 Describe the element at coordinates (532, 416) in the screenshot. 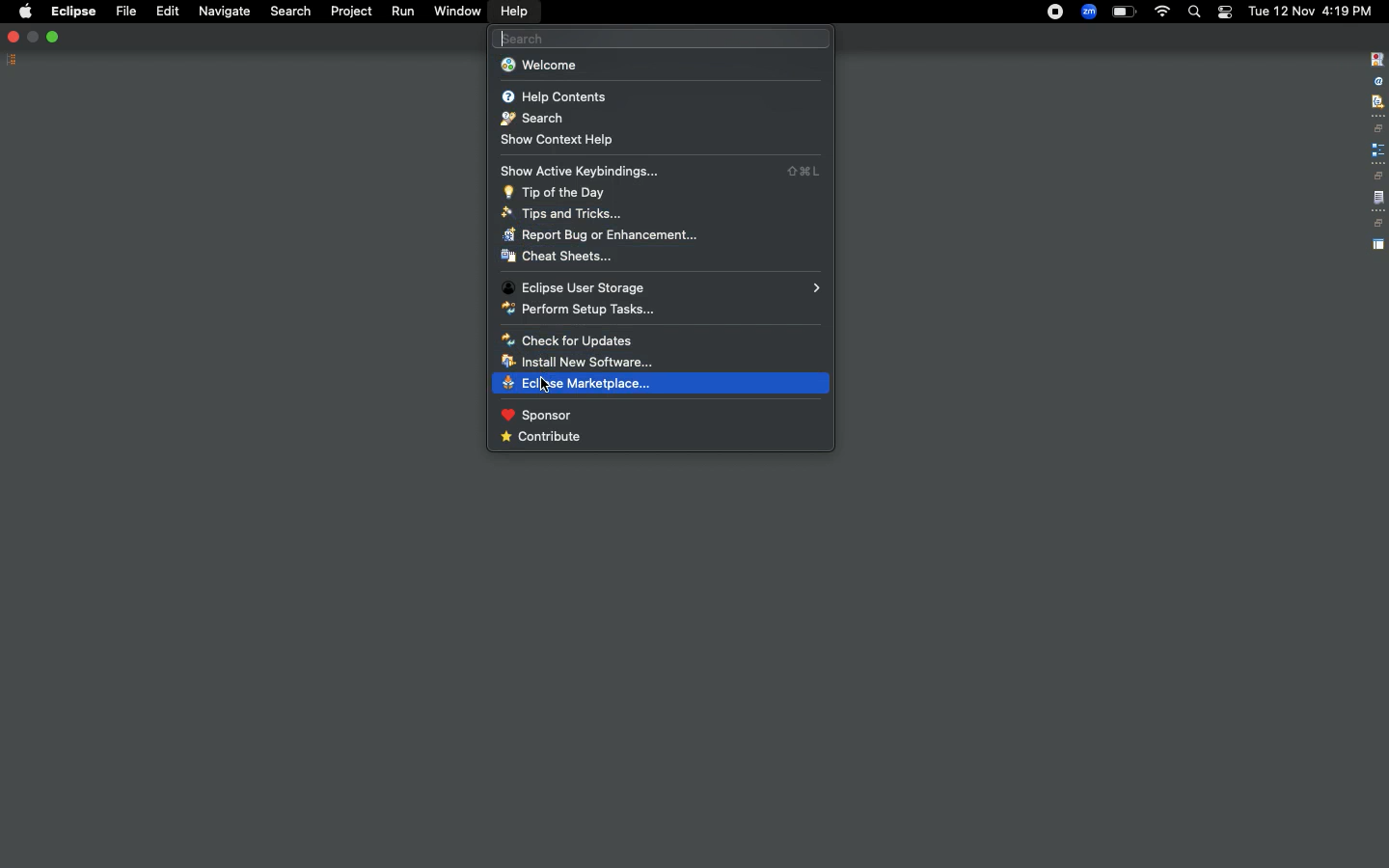

I see `Sponsor` at that location.